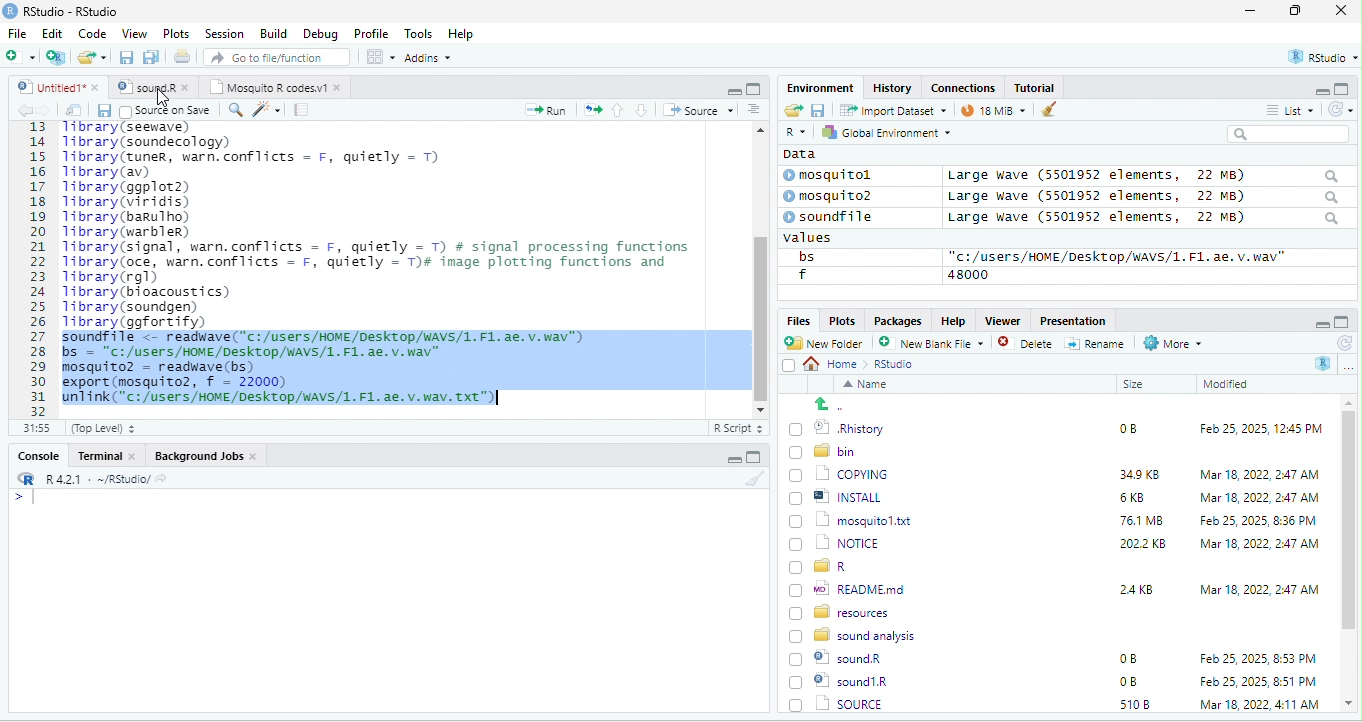 This screenshot has height=722, width=1362. What do you see at coordinates (825, 450) in the screenshot?
I see `Ld bin` at bounding box center [825, 450].